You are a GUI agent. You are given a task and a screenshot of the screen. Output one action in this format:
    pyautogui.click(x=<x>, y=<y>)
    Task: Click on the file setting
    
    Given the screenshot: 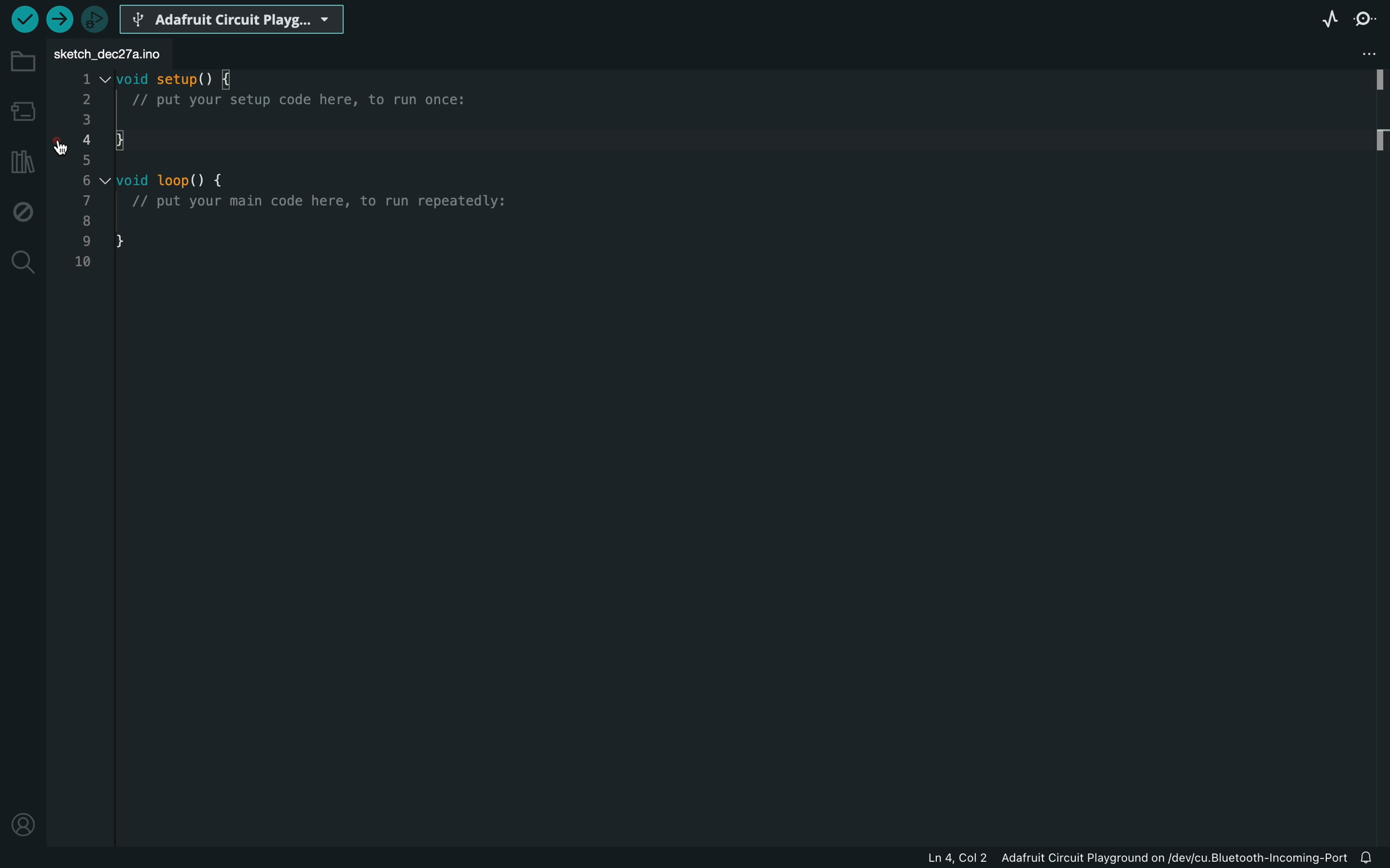 What is the action you would take?
    pyautogui.click(x=1353, y=55)
    